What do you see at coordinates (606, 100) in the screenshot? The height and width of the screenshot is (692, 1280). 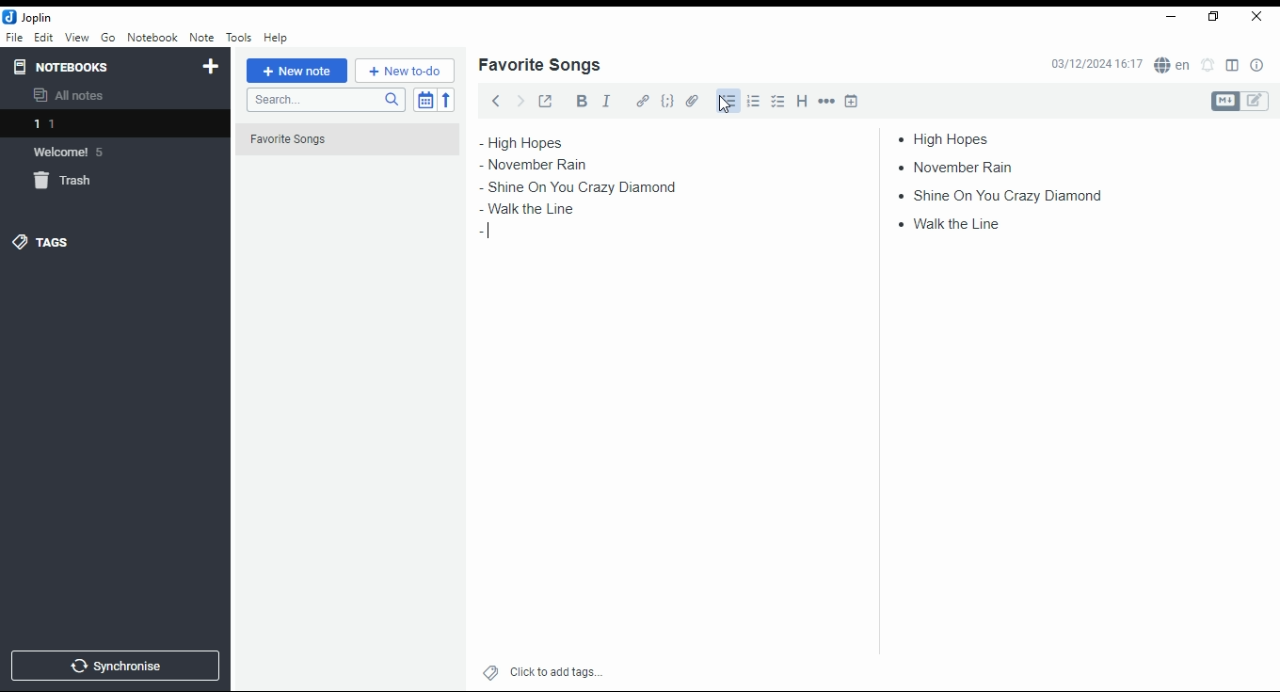 I see `italics` at bounding box center [606, 100].